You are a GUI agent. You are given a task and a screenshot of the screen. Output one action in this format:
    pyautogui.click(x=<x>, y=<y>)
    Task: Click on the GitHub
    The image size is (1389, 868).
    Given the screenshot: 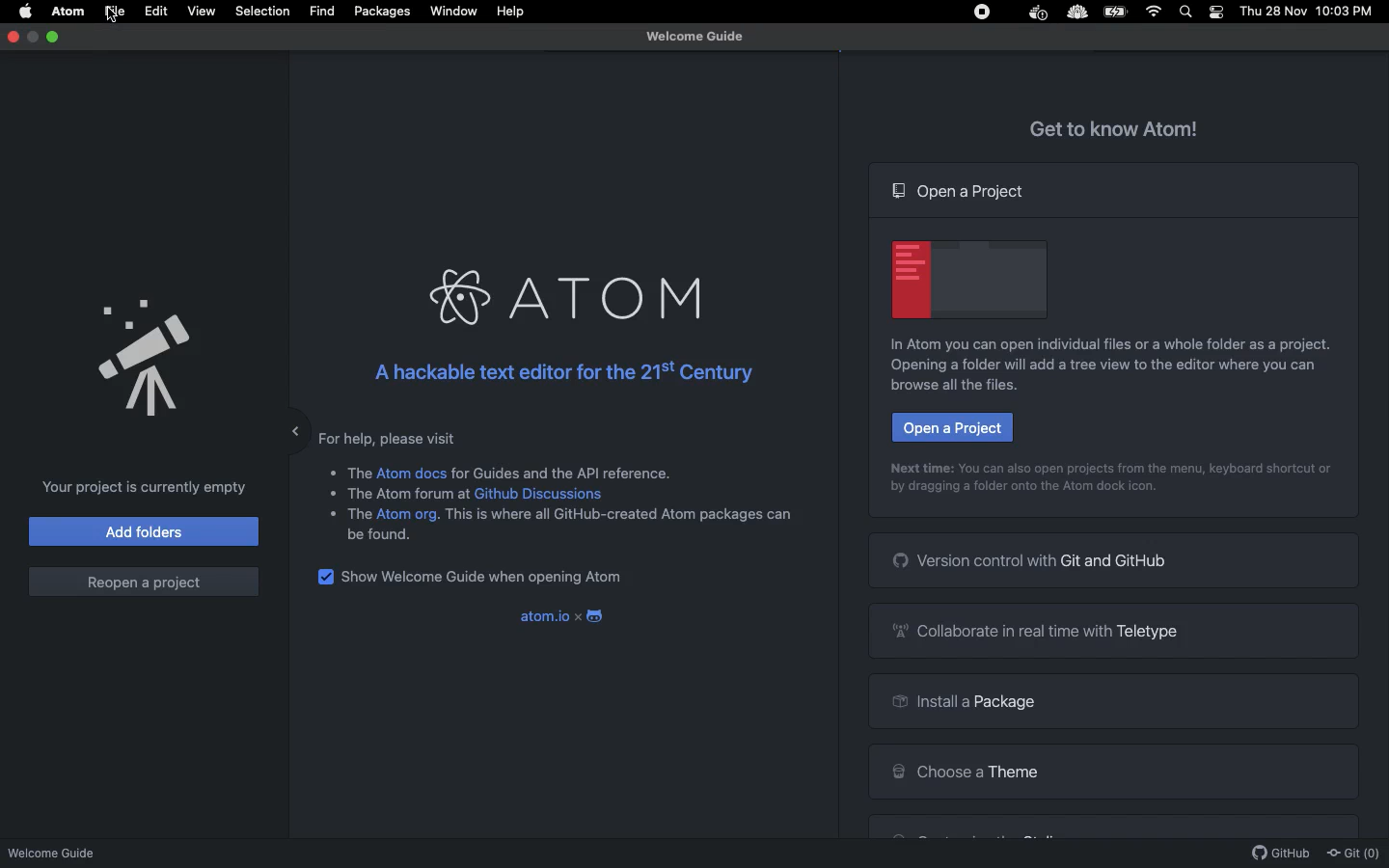 What is the action you would take?
    pyautogui.click(x=1281, y=854)
    